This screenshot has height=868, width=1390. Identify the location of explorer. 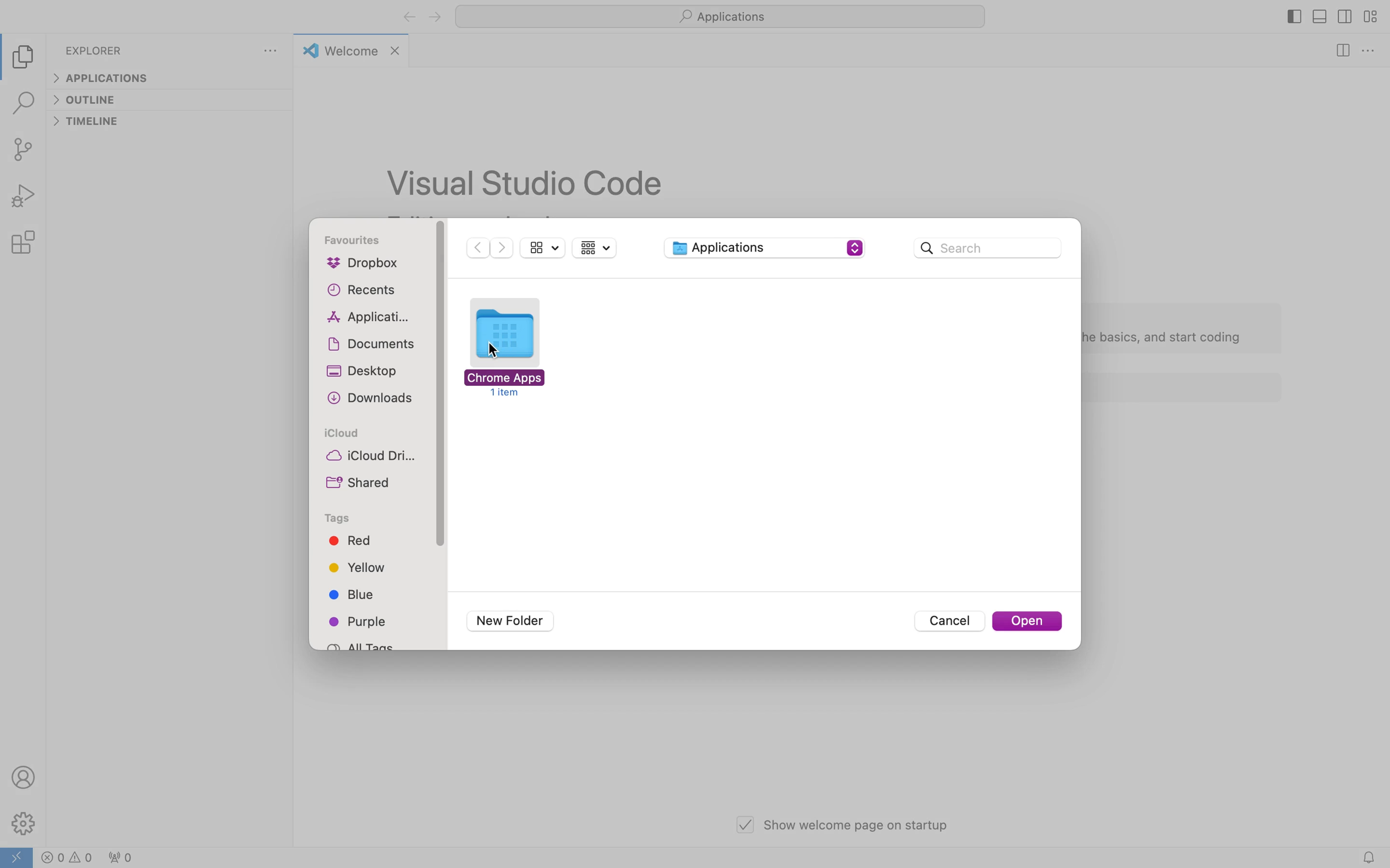
(95, 52).